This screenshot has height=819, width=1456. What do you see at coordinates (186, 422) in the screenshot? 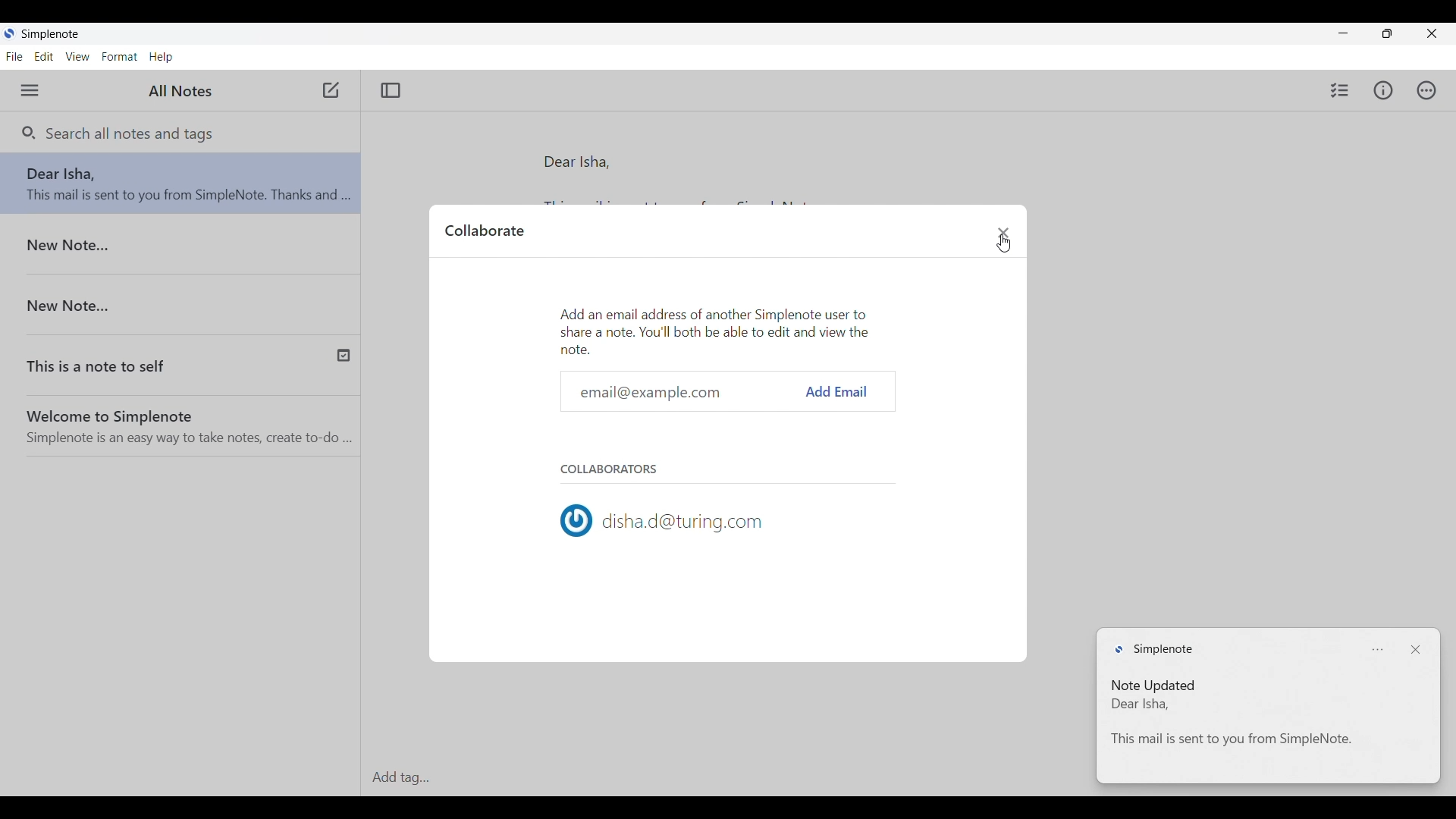
I see `Welcome note from SimpleNote` at bounding box center [186, 422].